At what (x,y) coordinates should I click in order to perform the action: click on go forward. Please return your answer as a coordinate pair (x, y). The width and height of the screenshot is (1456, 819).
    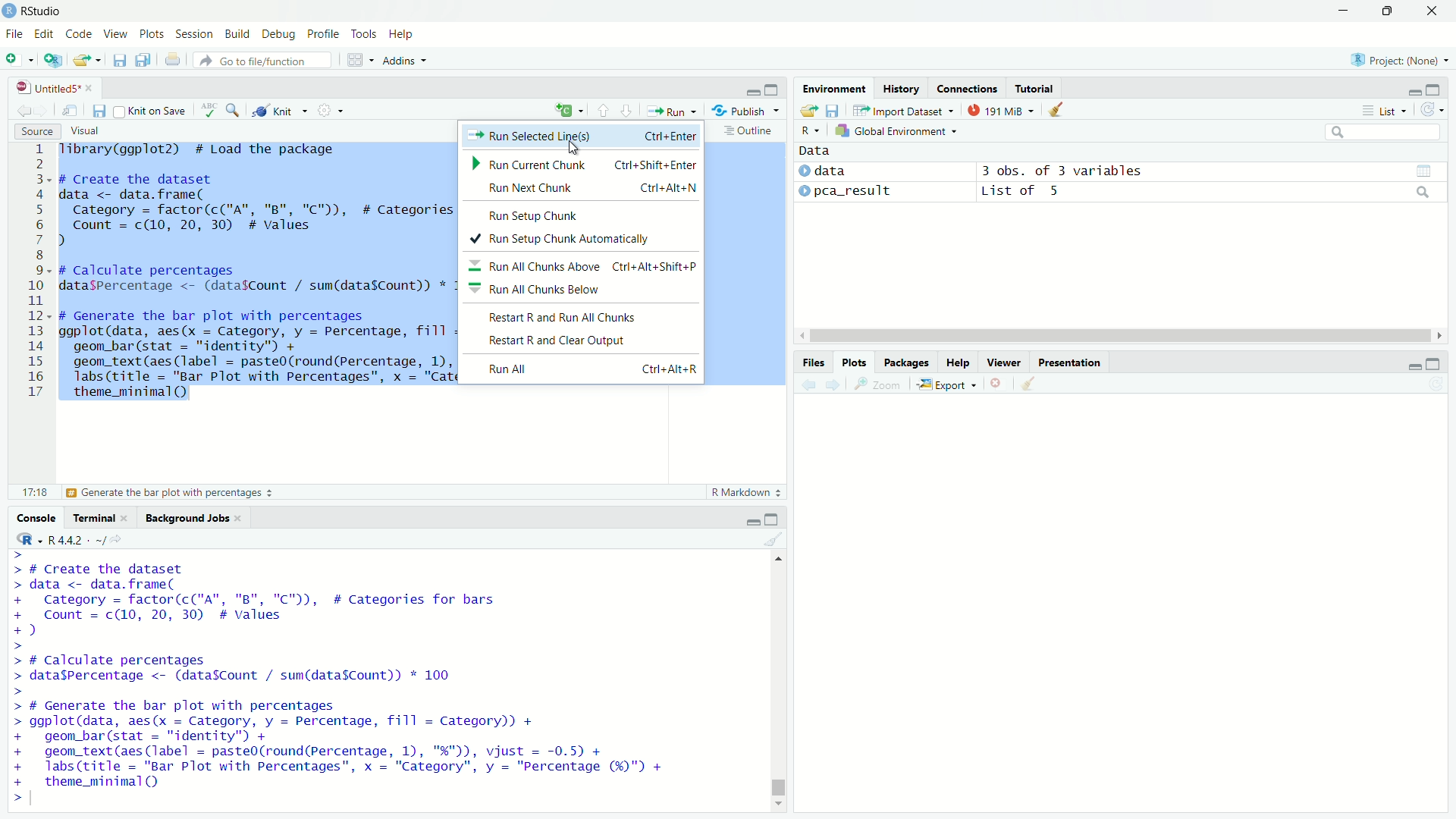
    Looking at the image, I should click on (43, 111).